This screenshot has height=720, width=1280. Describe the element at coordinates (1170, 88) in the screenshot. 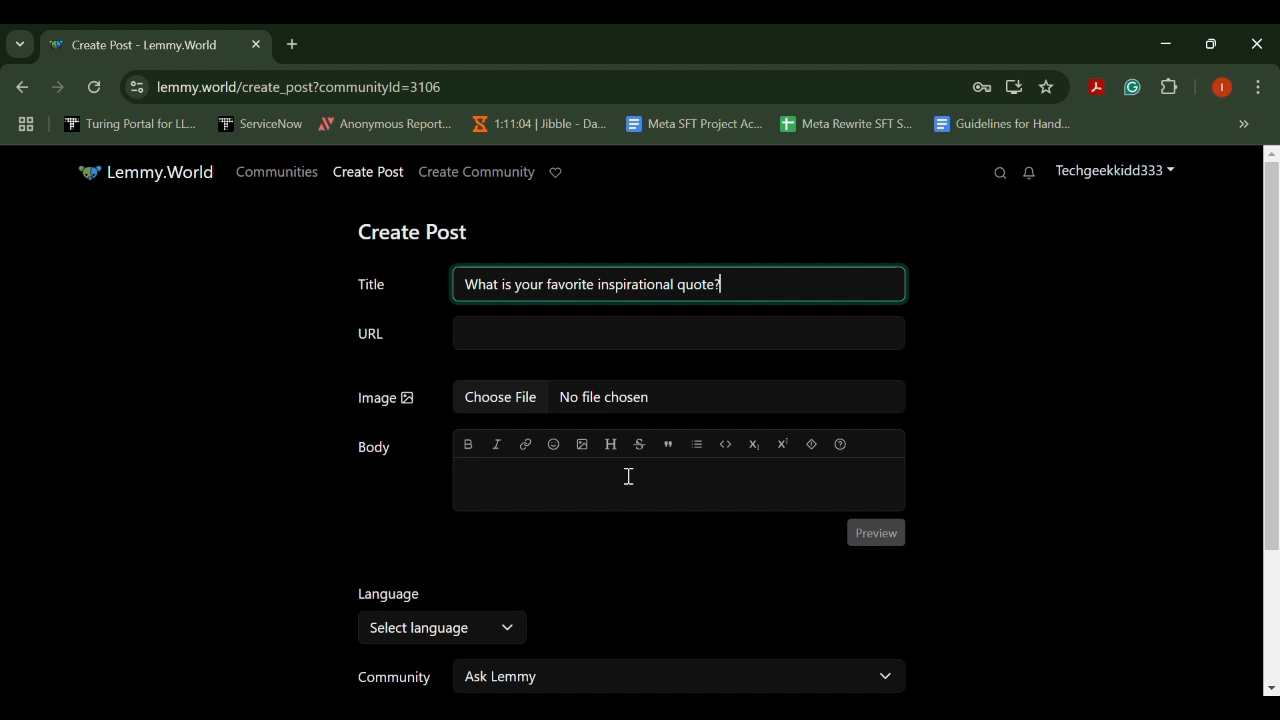

I see `Extensions` at that location.